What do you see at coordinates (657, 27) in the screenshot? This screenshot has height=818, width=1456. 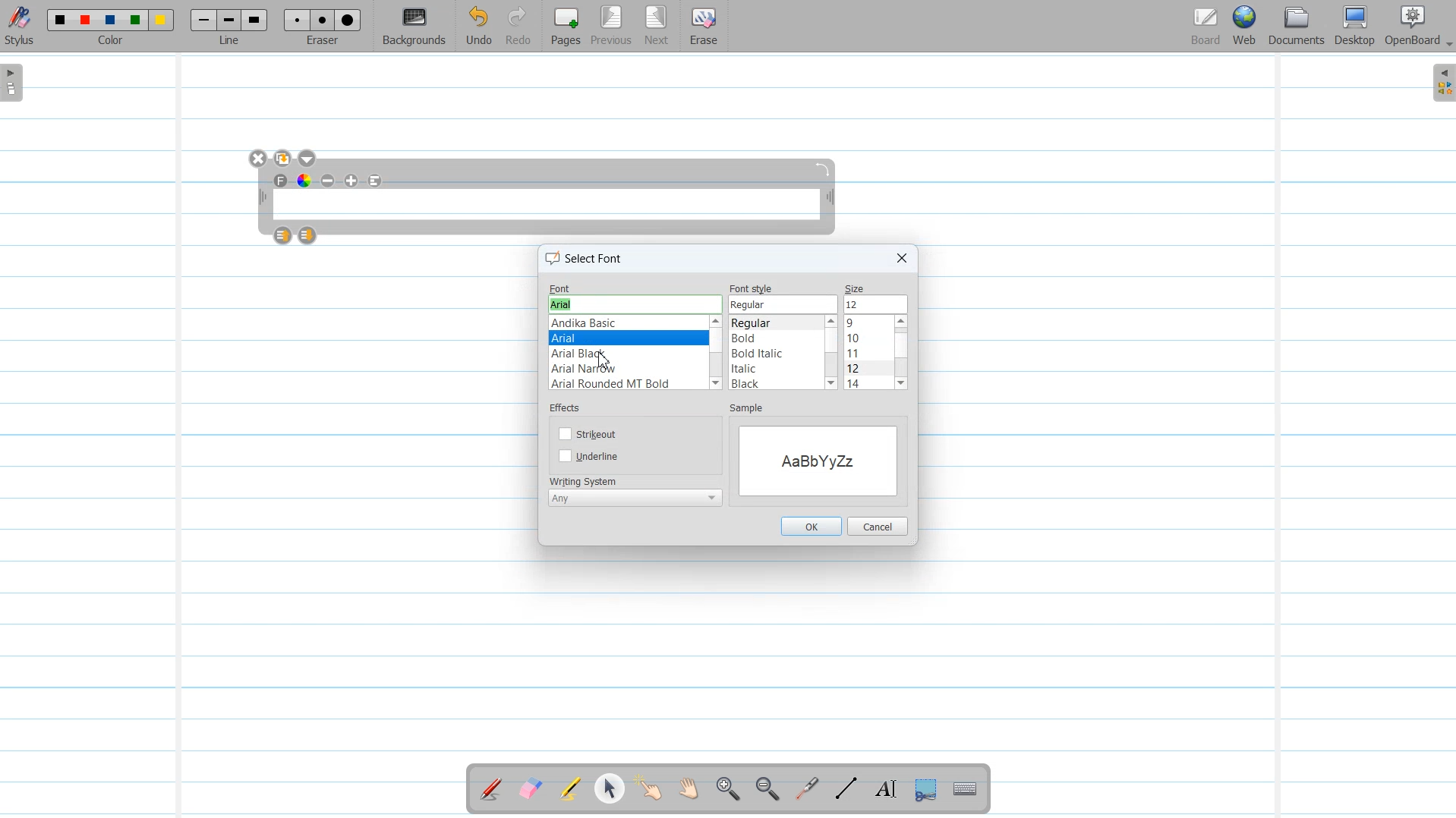 I see `Next` at bounding box center [657, 27].